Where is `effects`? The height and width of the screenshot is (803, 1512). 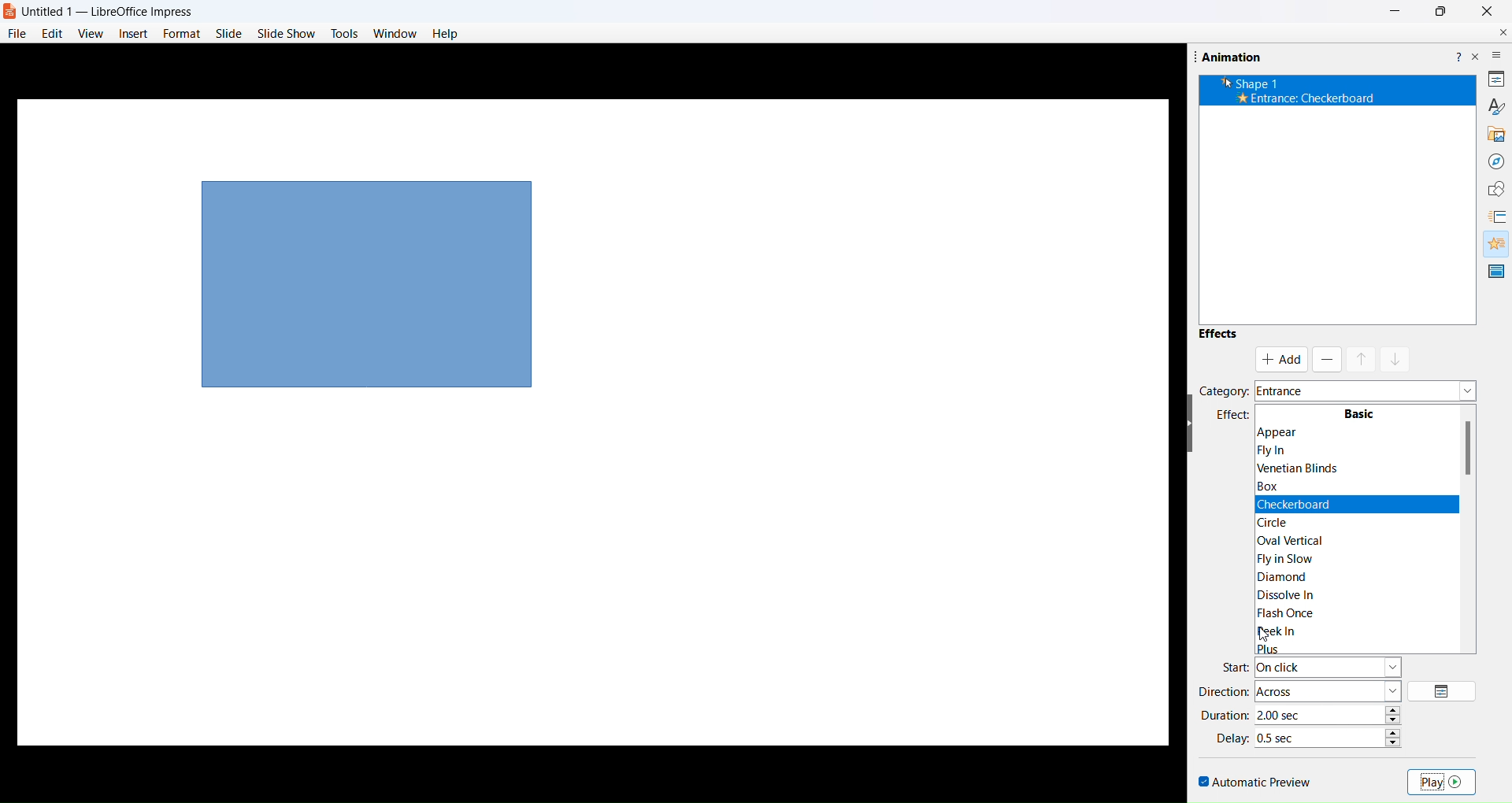 effects is located at coordinates (1235, 416).